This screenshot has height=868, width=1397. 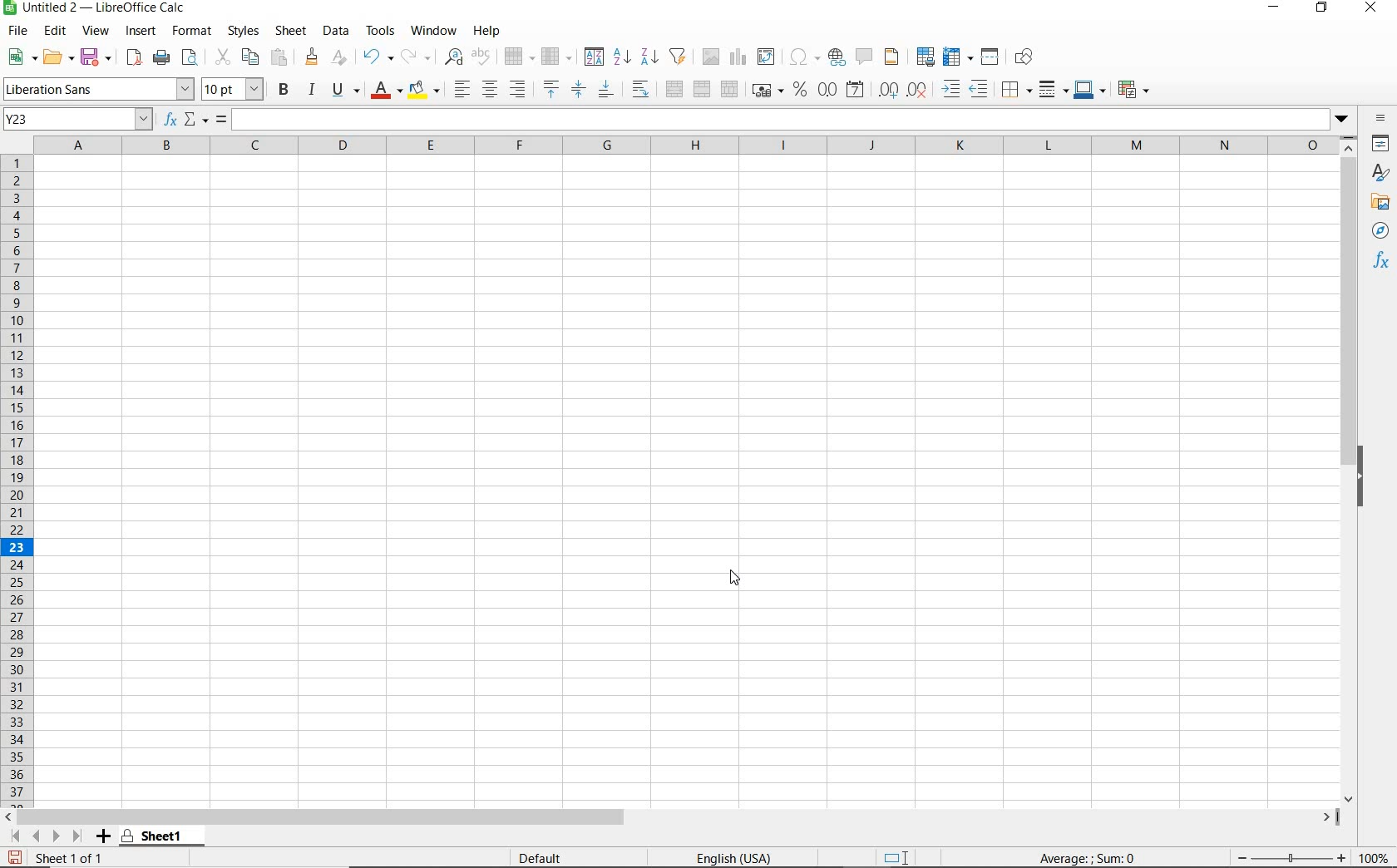 What do you see at coordinates (1014, 91) in the screenshot?
I see `BORDERS` at bounding box center [1014, 91].